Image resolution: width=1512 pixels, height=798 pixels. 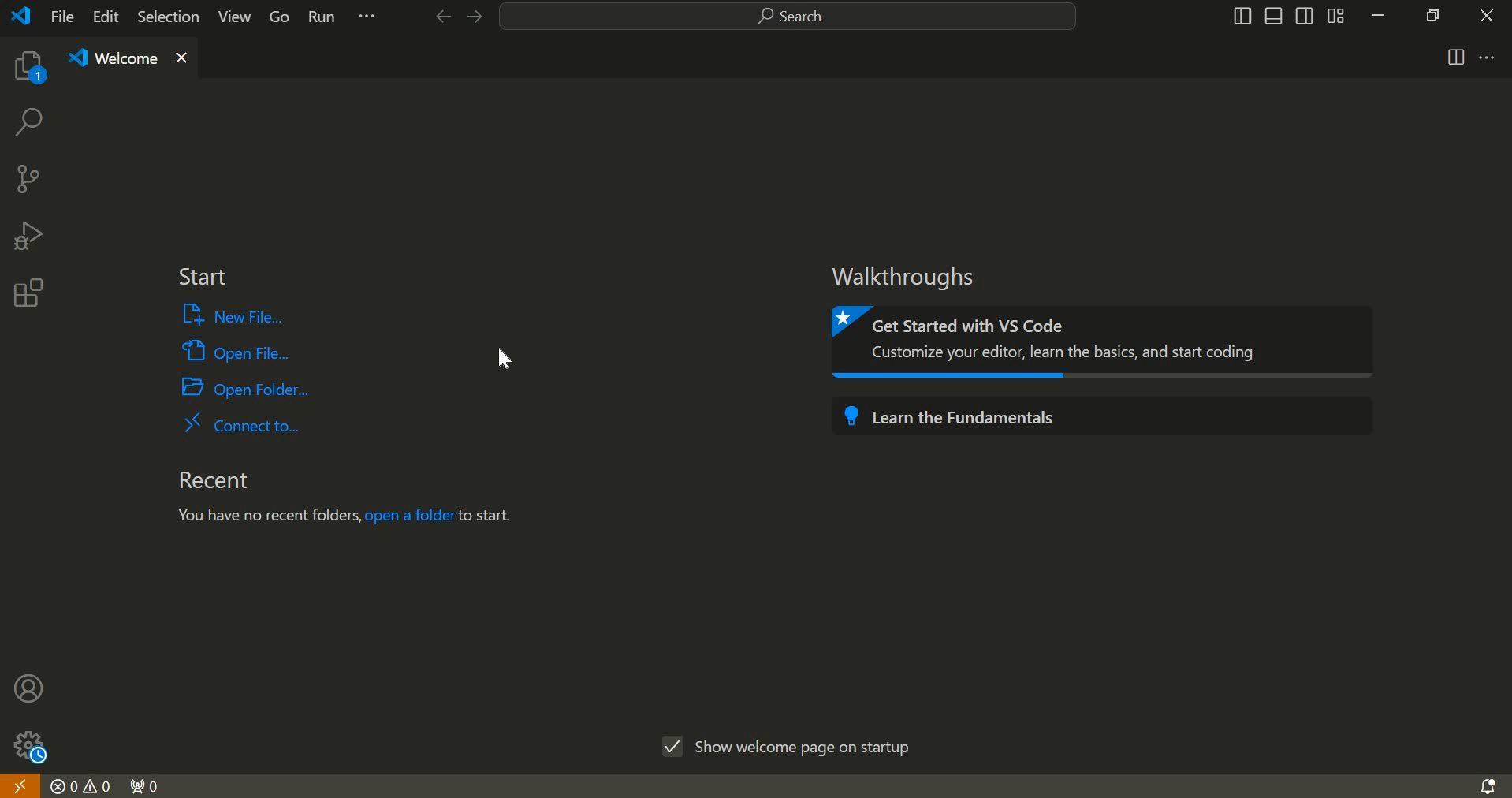 I want to click on no notifications, so click(x=1487, y=785).